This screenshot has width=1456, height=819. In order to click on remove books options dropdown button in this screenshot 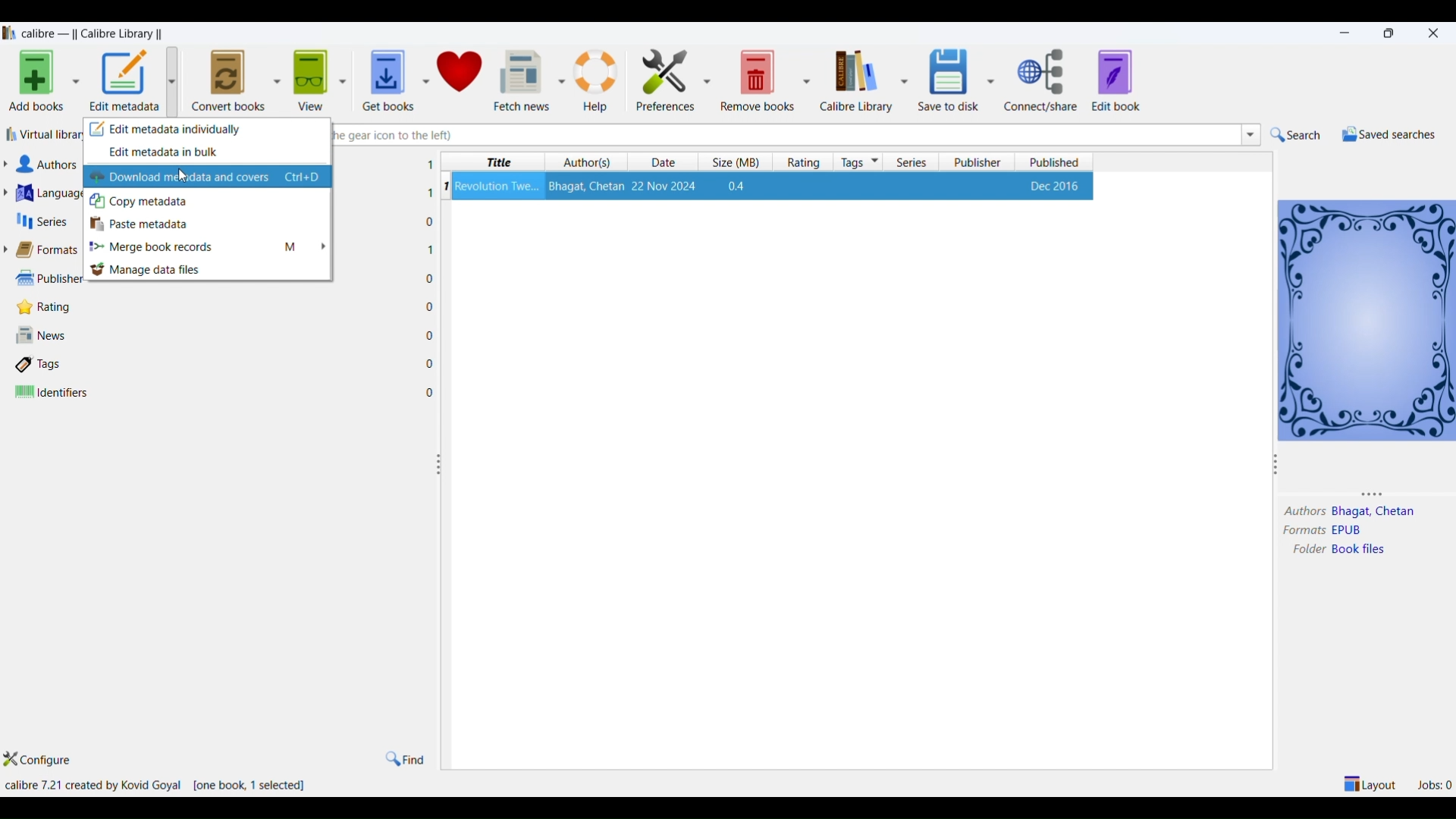, I will do `click(807, 79)`.